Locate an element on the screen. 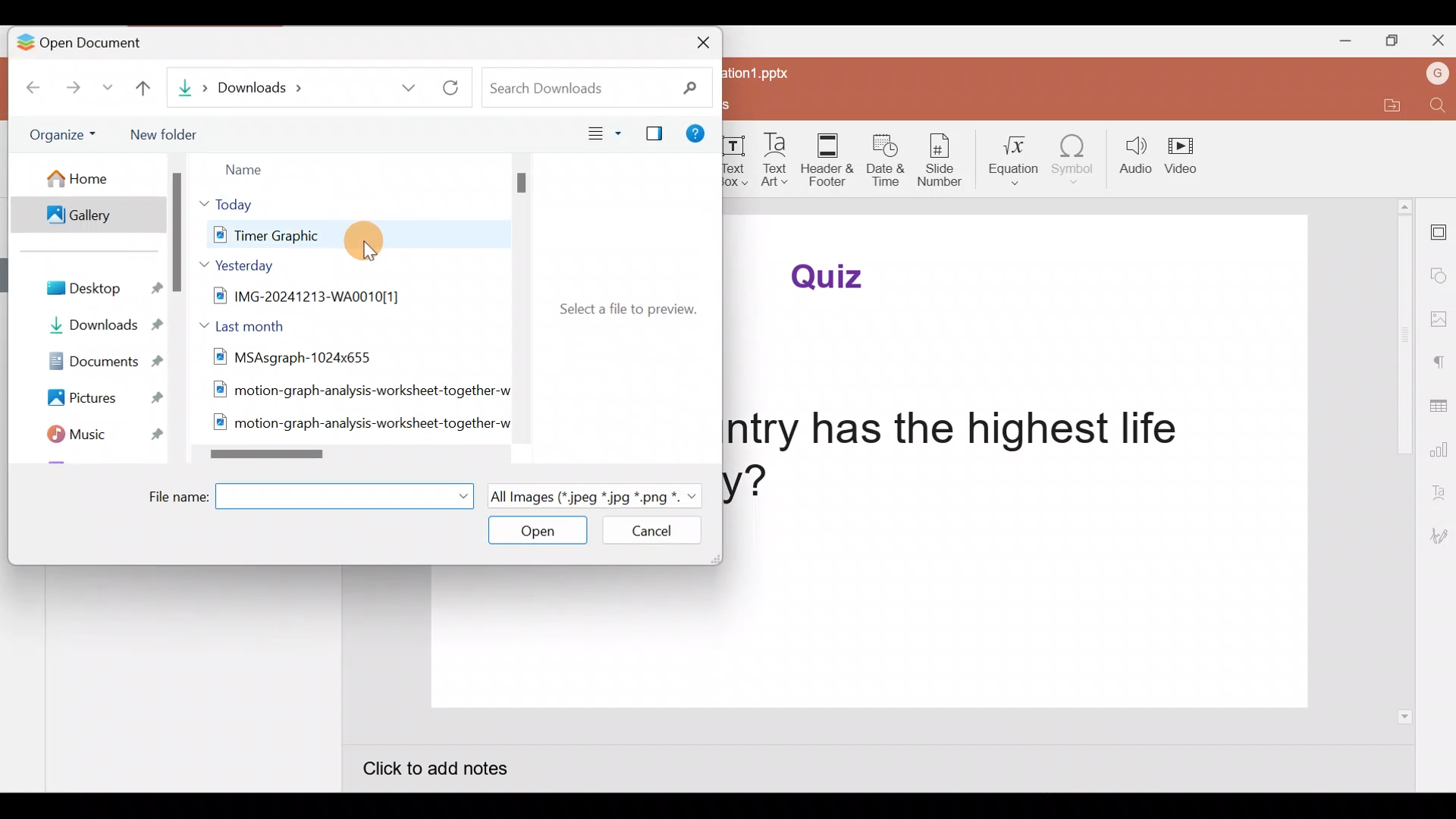  Refresh is located at coordinates (460, 86).